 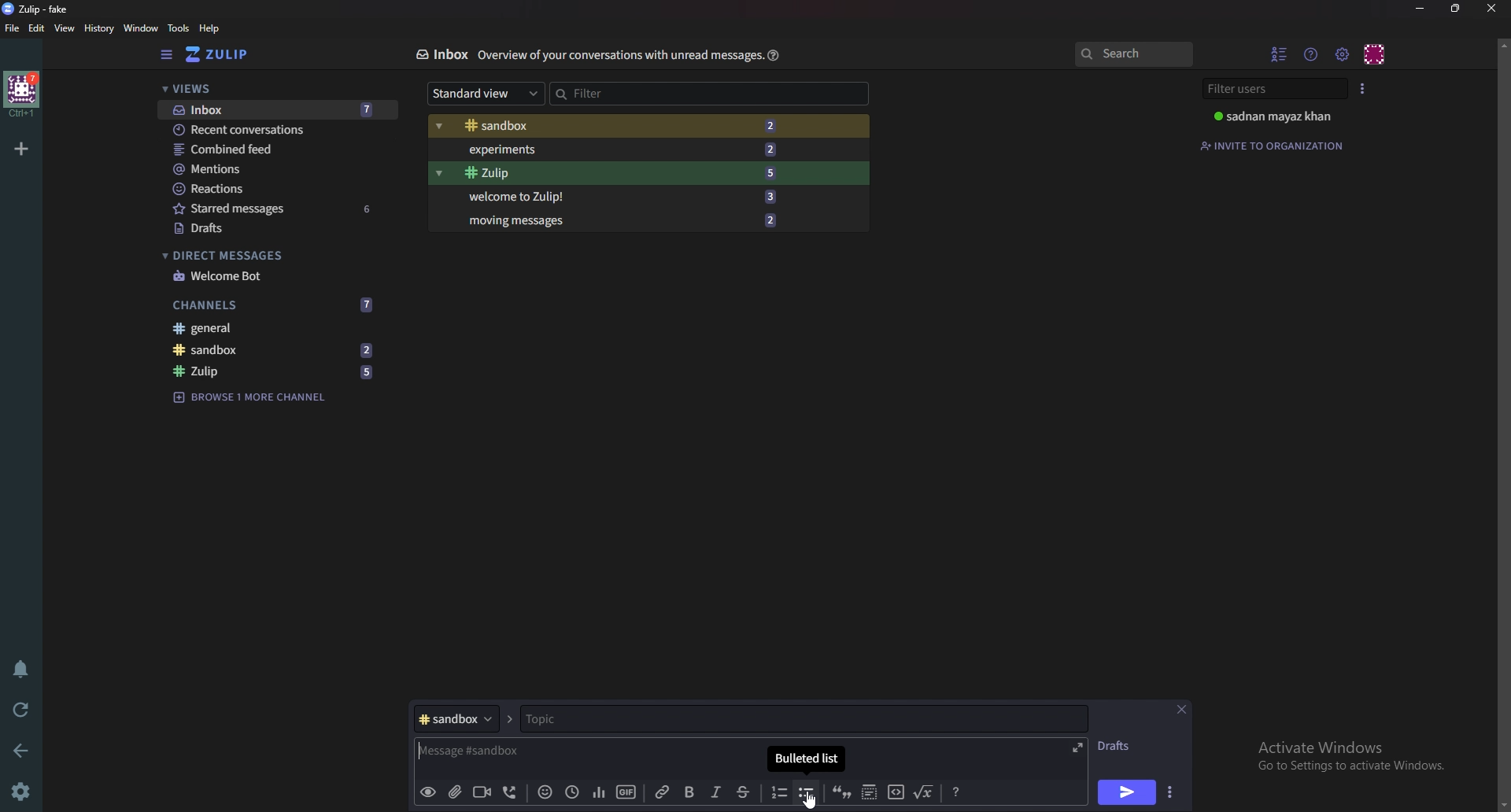 What do you see at coordinates (592, 718) in the screenshot?
I see `Topic` at bounding box center [592, 718].